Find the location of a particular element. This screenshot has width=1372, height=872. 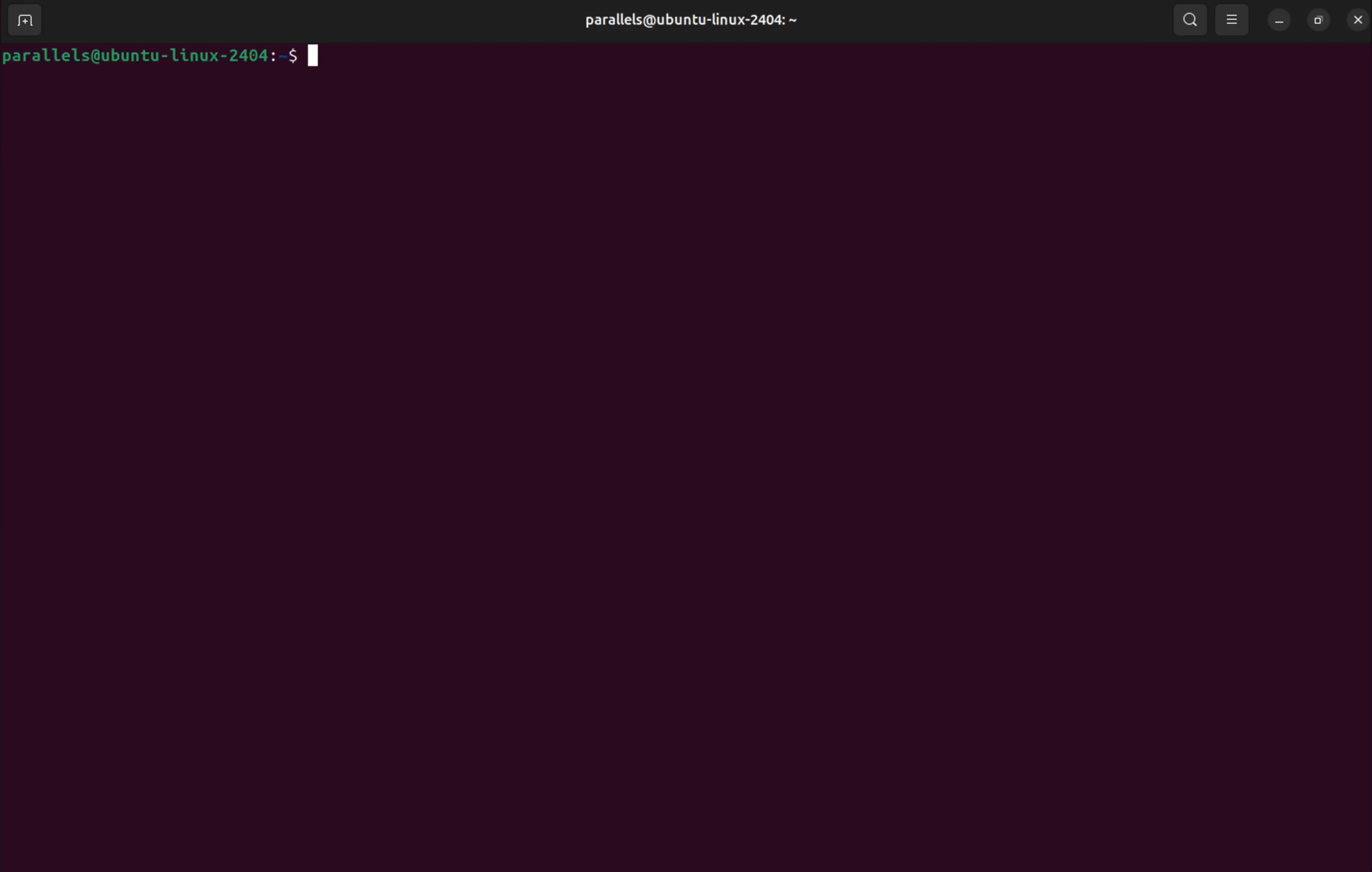

view options is located at coordinates (1234, 23).